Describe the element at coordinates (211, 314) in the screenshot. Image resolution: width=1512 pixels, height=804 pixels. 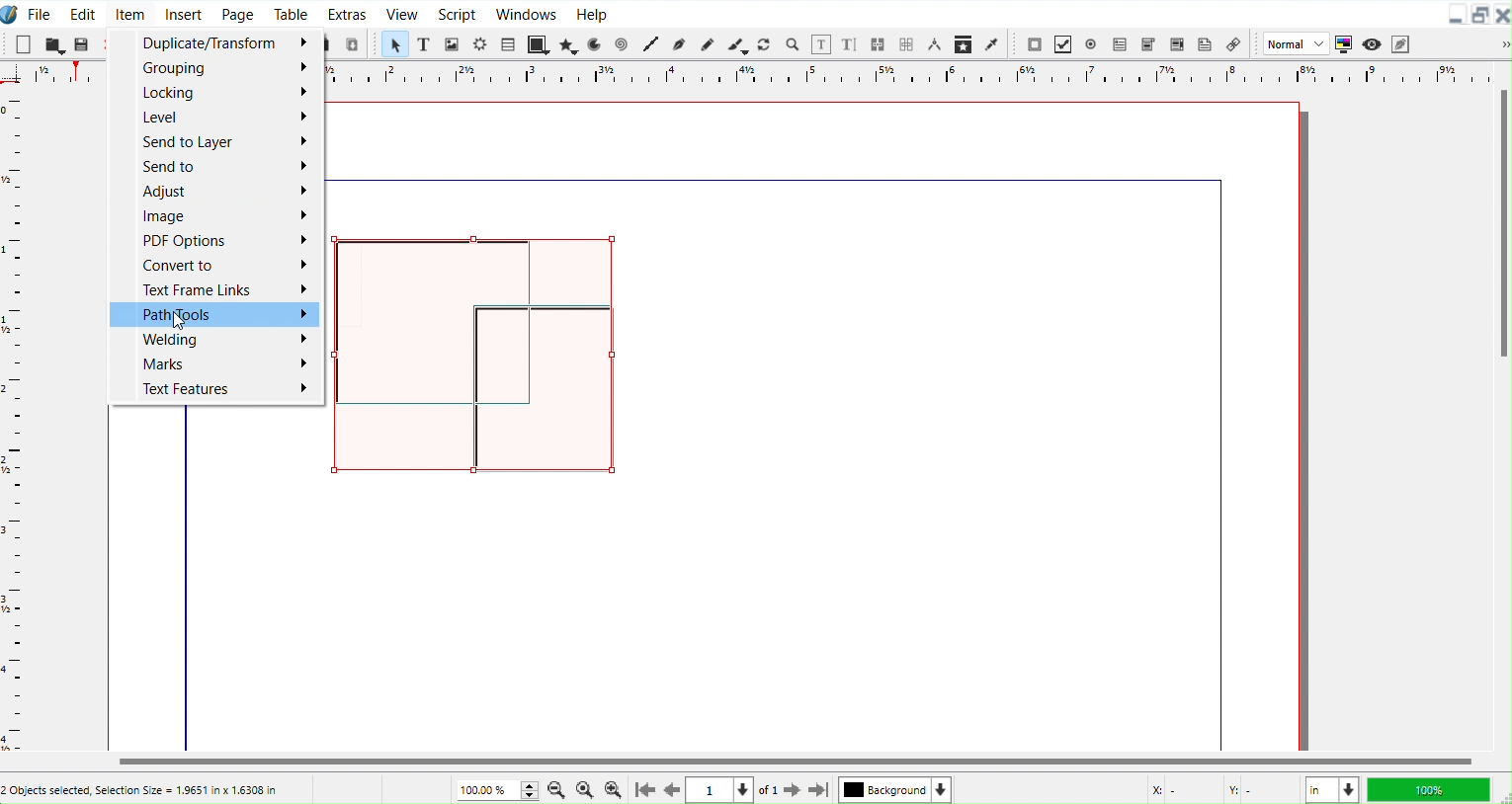
I see `Path Tools` at that location.